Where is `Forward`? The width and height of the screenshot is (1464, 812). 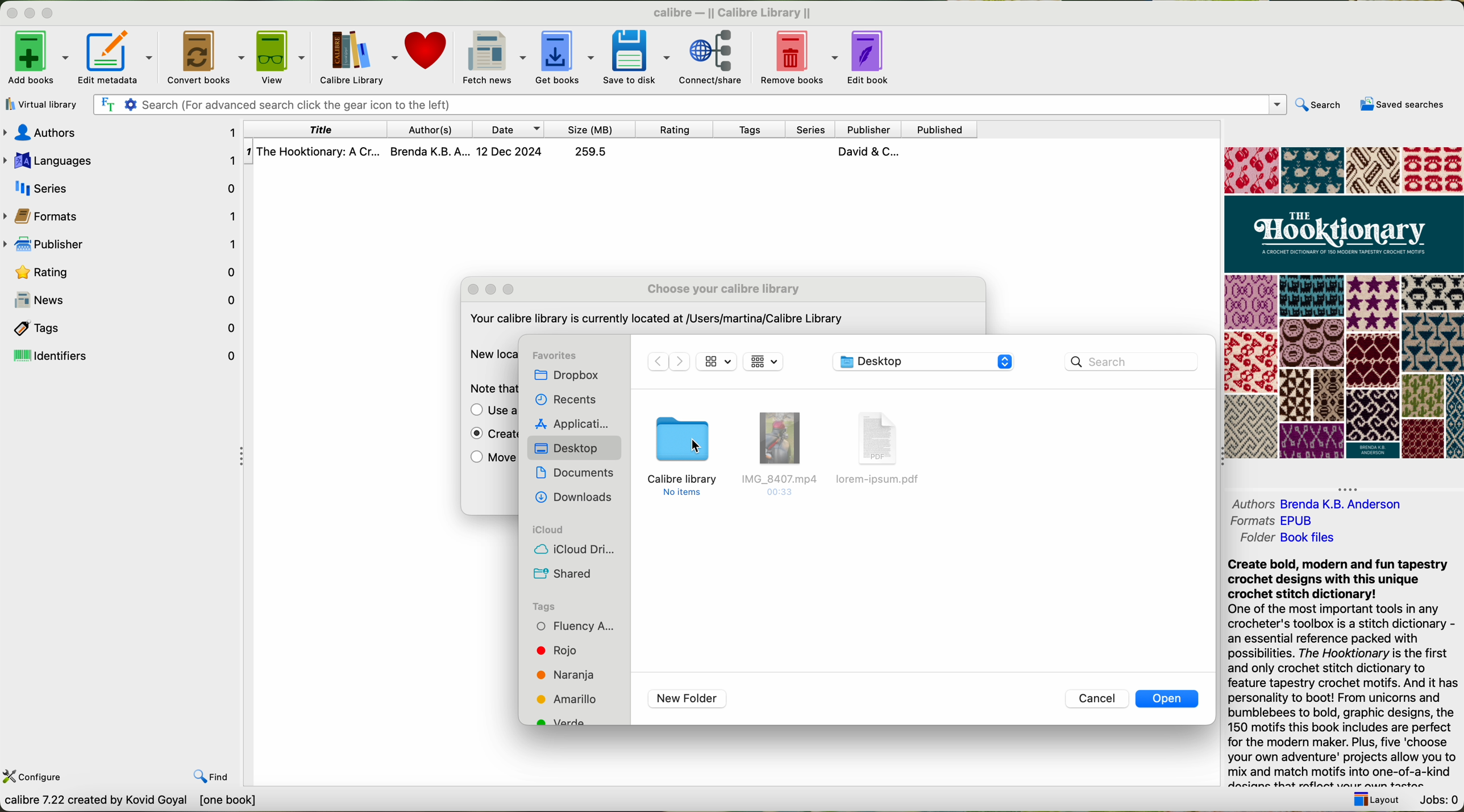
Forward is located at coordinates (681, 362).